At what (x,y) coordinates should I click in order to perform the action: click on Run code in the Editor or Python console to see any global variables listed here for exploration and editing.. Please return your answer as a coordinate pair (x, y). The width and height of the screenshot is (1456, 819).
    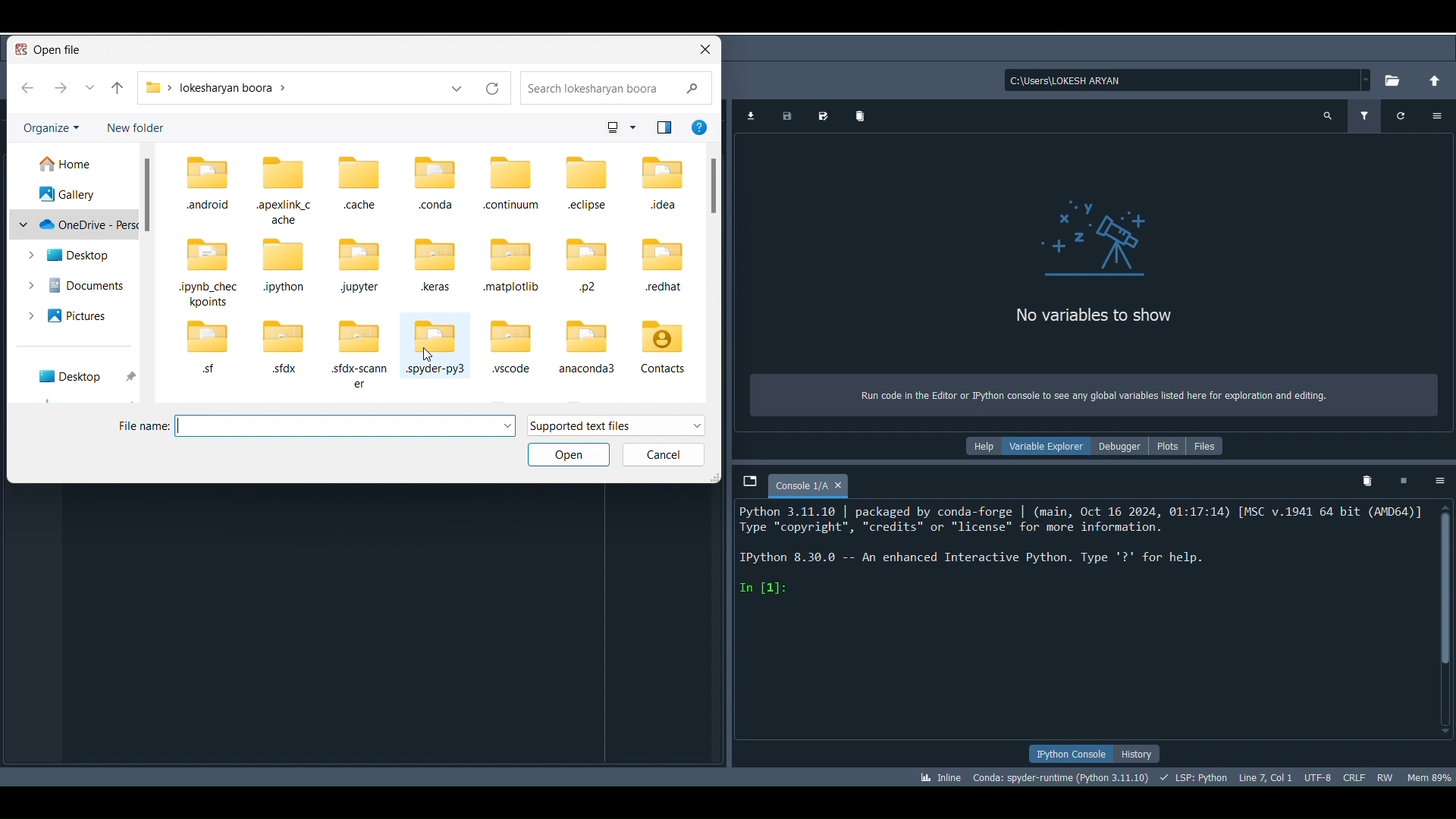
    Looking at the image, I should click on (1094, 395).